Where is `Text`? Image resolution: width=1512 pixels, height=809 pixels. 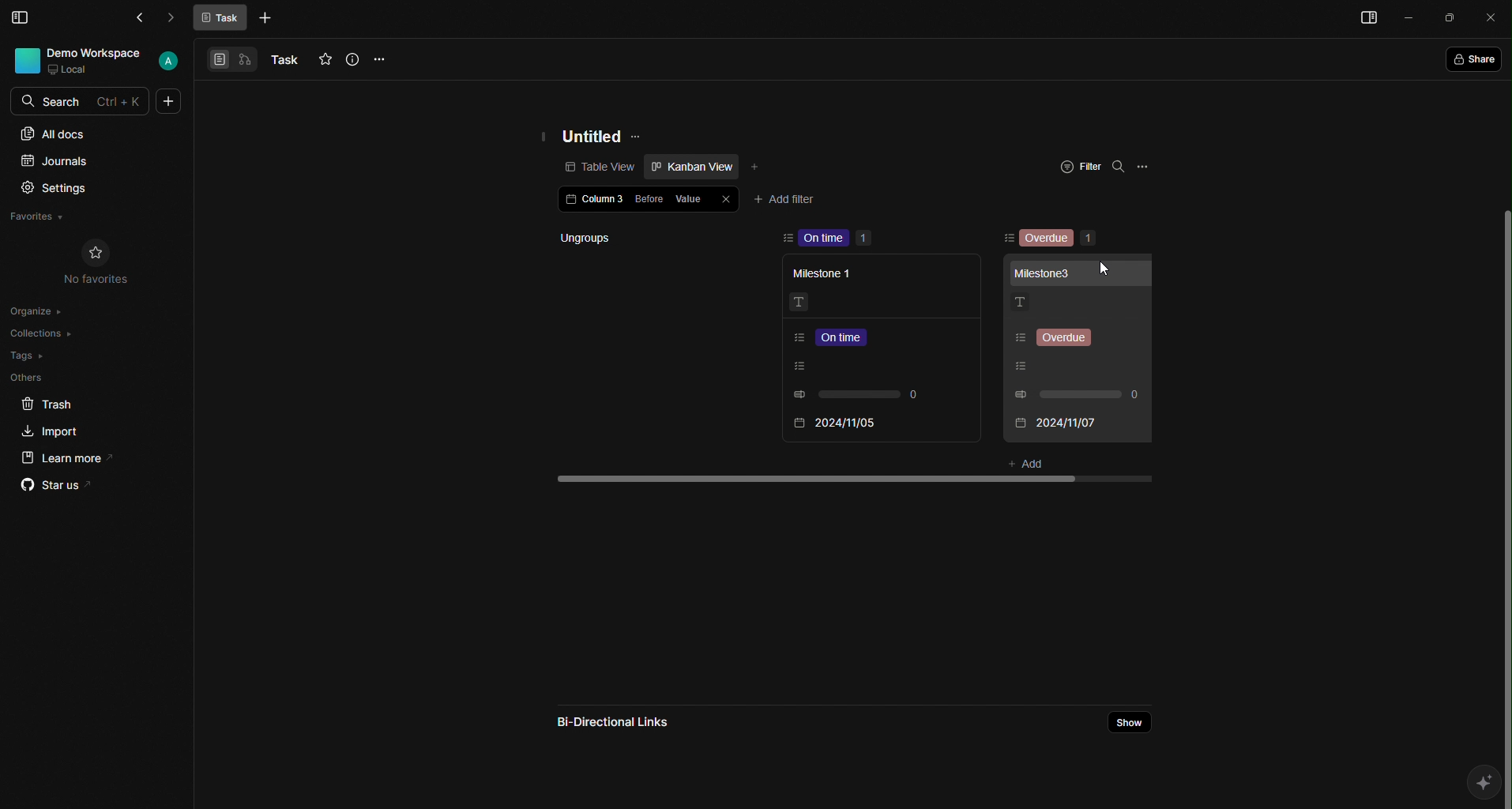
Text is located at coordinates (799, 302).